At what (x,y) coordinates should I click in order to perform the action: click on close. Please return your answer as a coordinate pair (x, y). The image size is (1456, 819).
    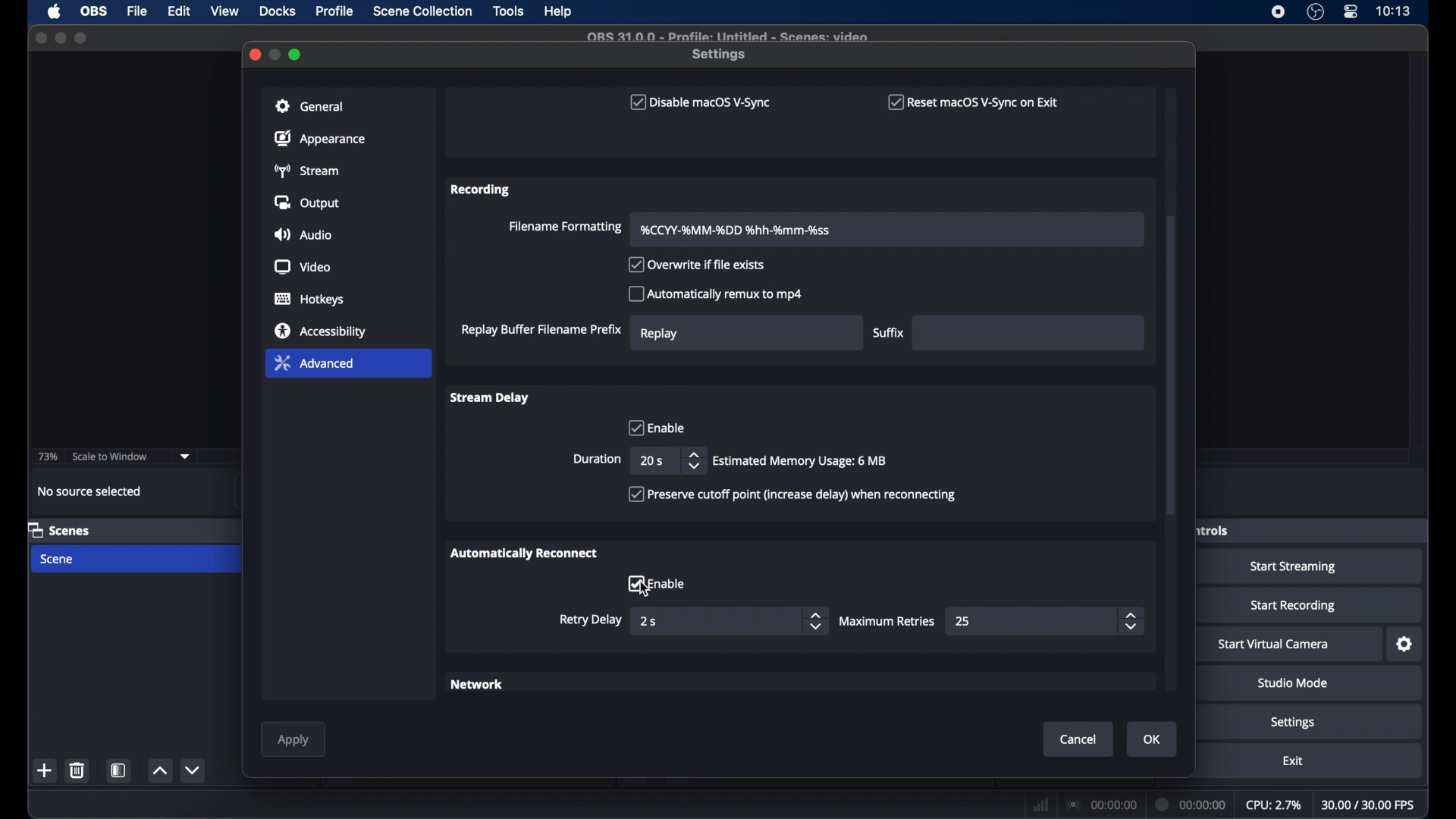
    Looking at the image, I should click on (41, 38).